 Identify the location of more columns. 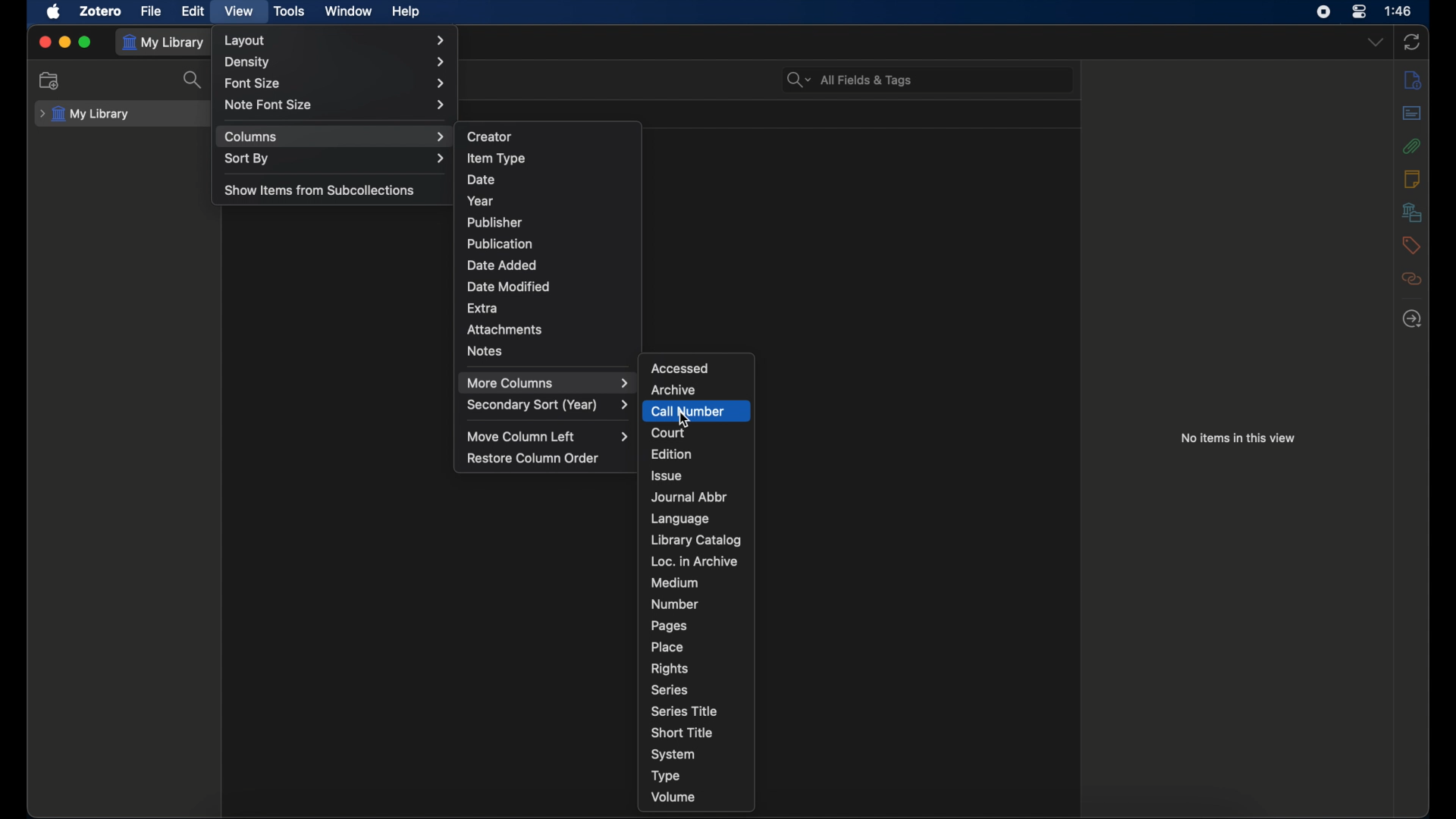
(548, 383).